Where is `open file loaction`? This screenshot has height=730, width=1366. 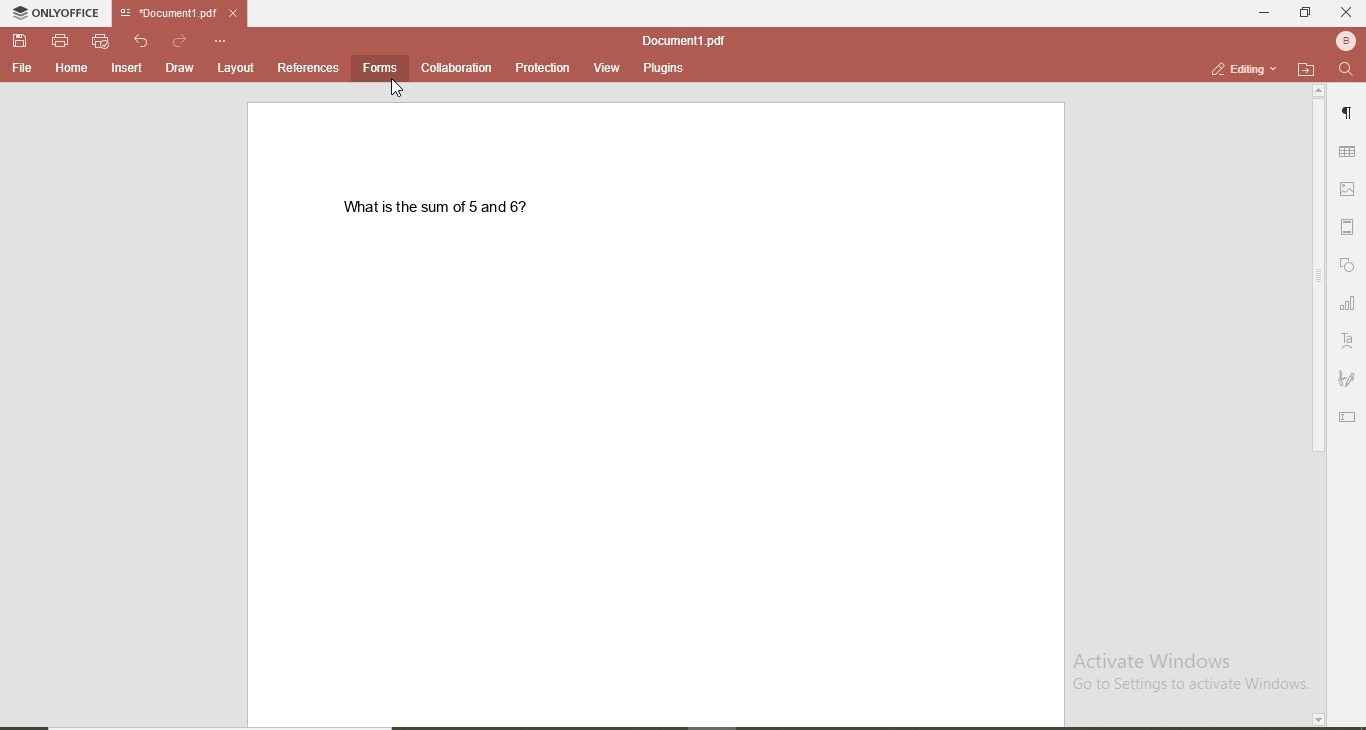
open file loaction is located at coordinates (1302, 68).